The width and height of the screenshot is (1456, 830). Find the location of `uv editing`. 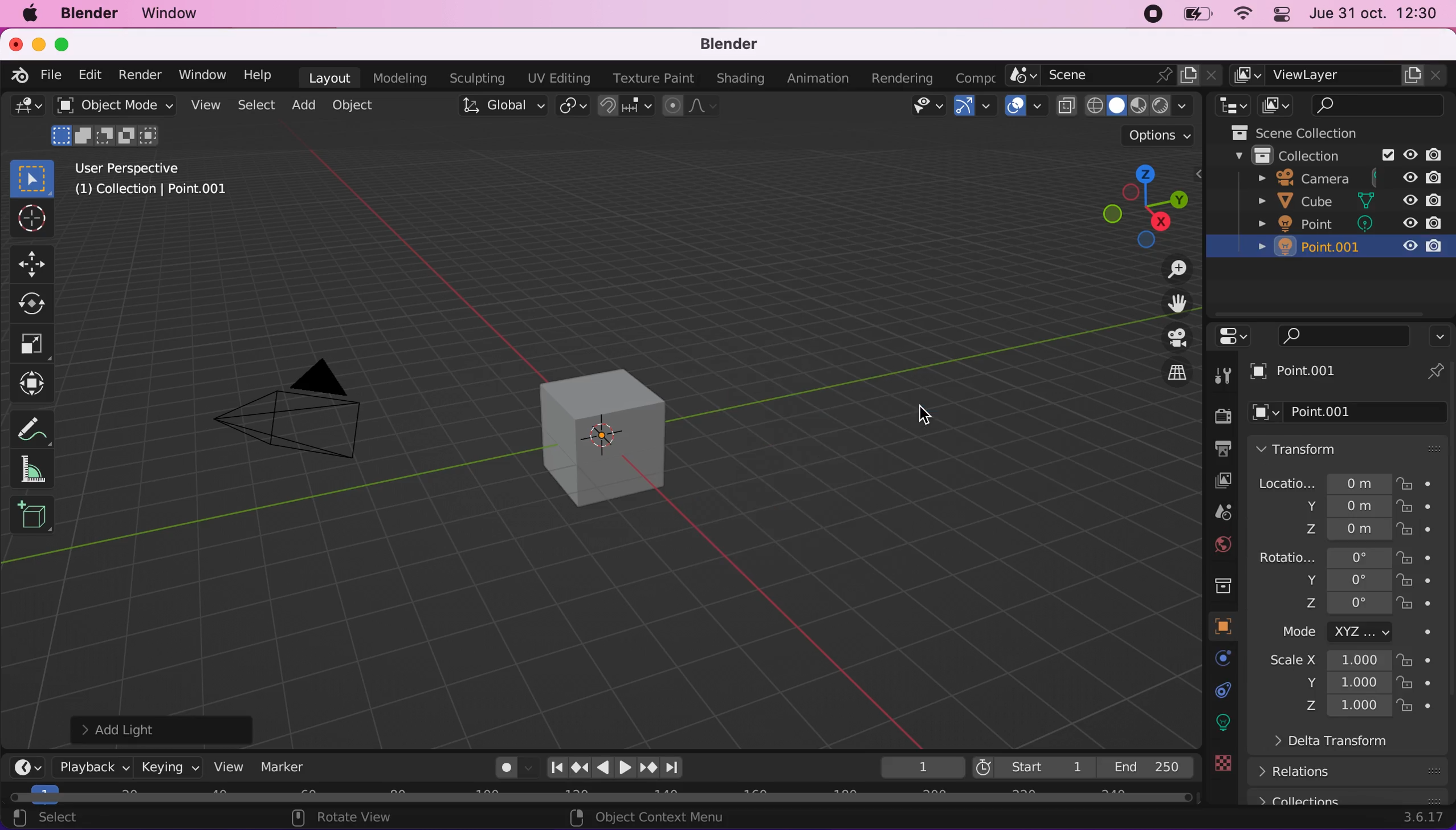

uv editing is located at coordinates (560, 79).